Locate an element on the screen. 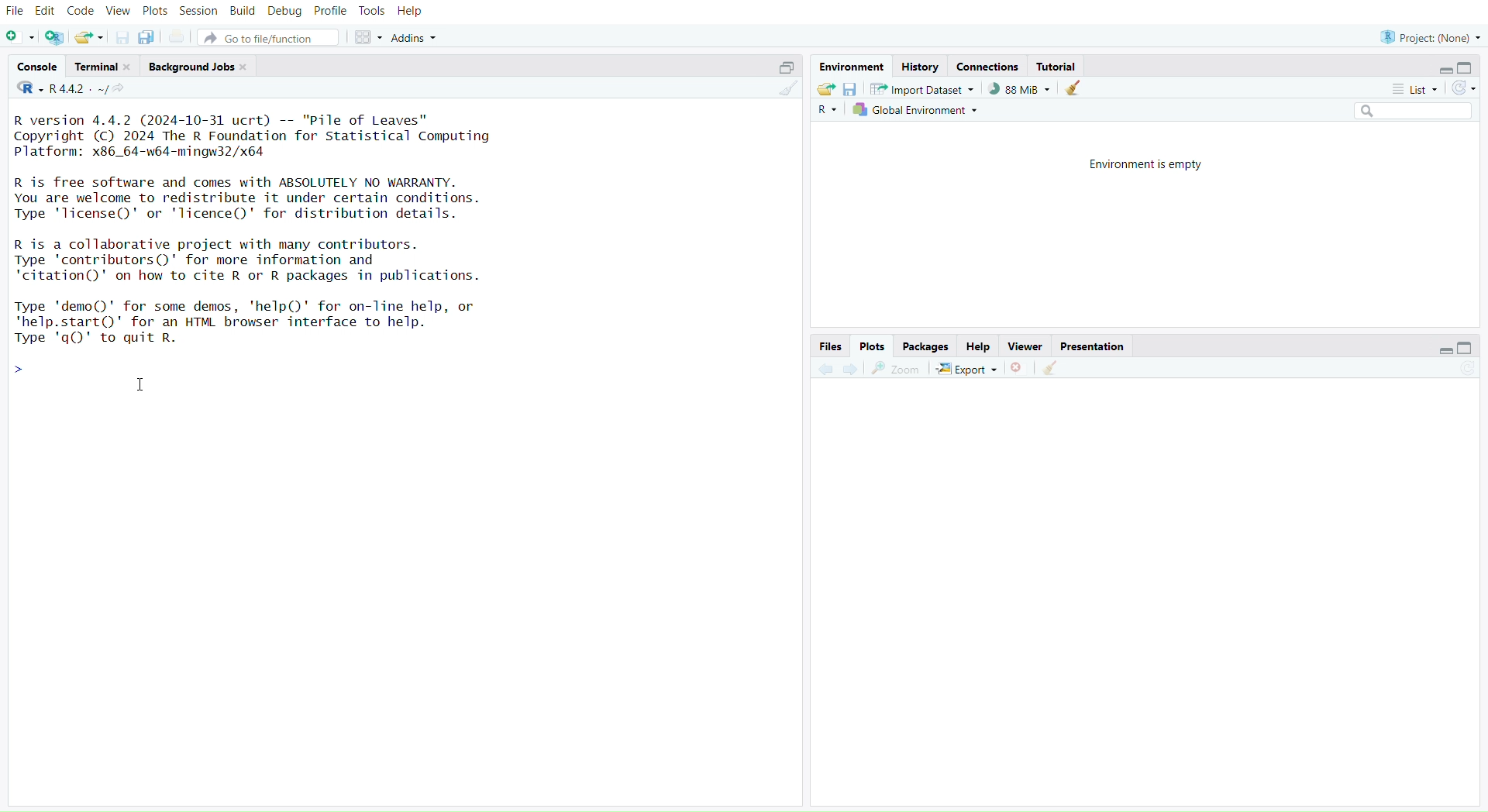 Image resolution: width=1488 pixels, height=812 pixels. tools is located at coordinates (373, 11).